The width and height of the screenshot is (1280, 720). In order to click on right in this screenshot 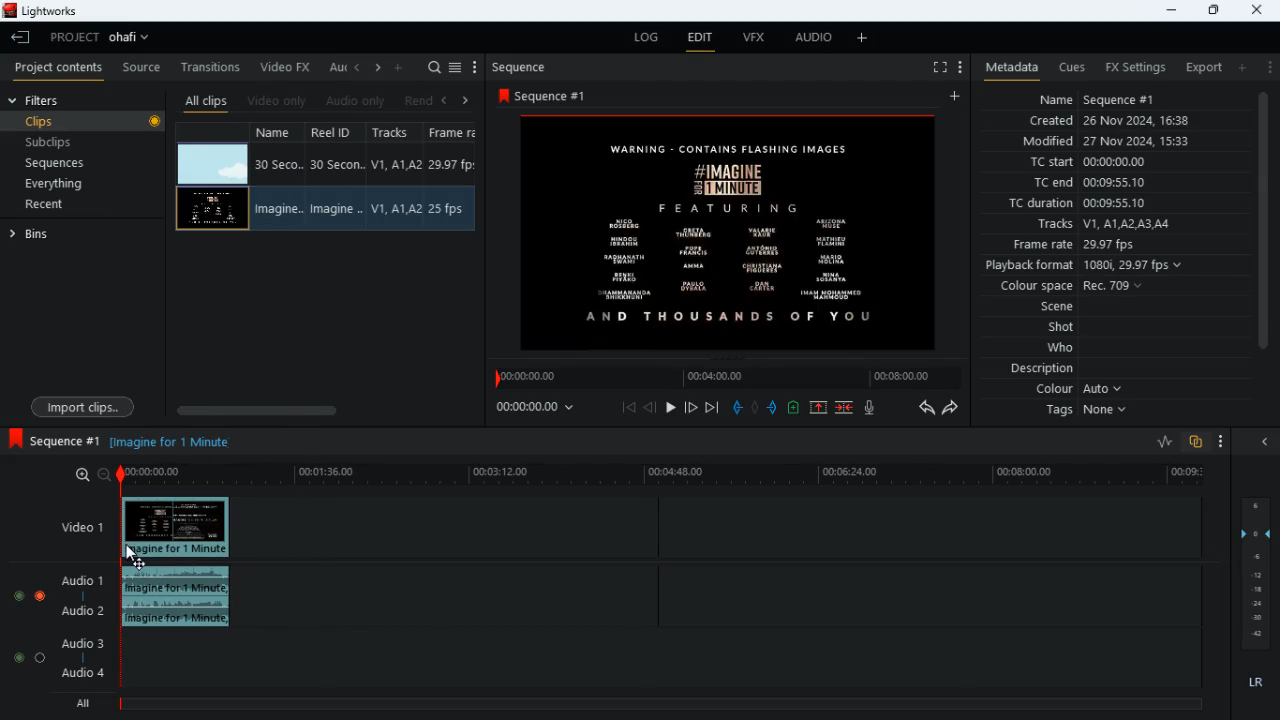, I will do `click(379, 69)`.